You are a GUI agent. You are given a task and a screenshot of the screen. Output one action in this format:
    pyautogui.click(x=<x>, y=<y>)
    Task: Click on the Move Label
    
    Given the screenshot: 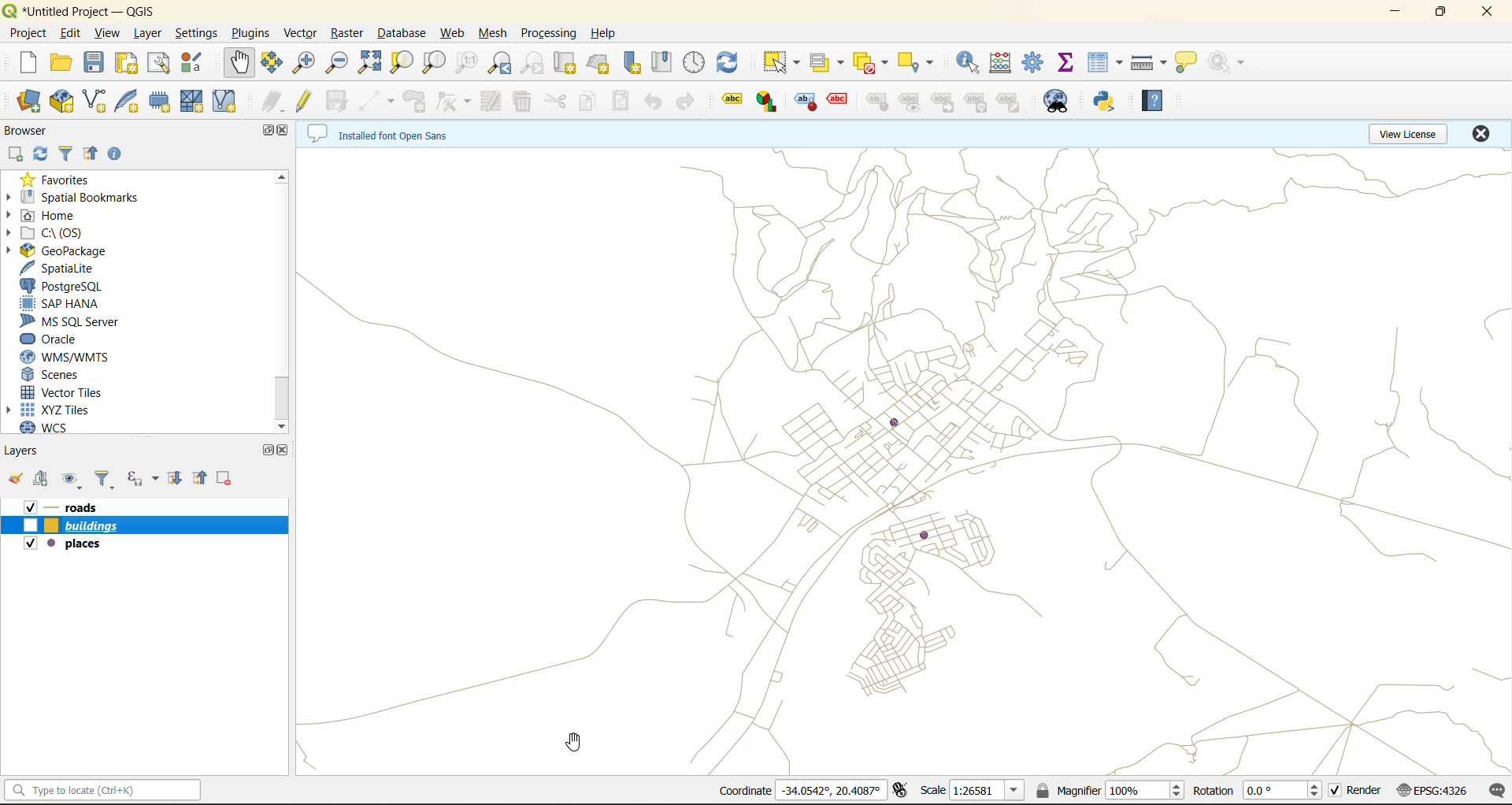 What is the action you would take?
    pyautogui.click(x=939, y=102)
    